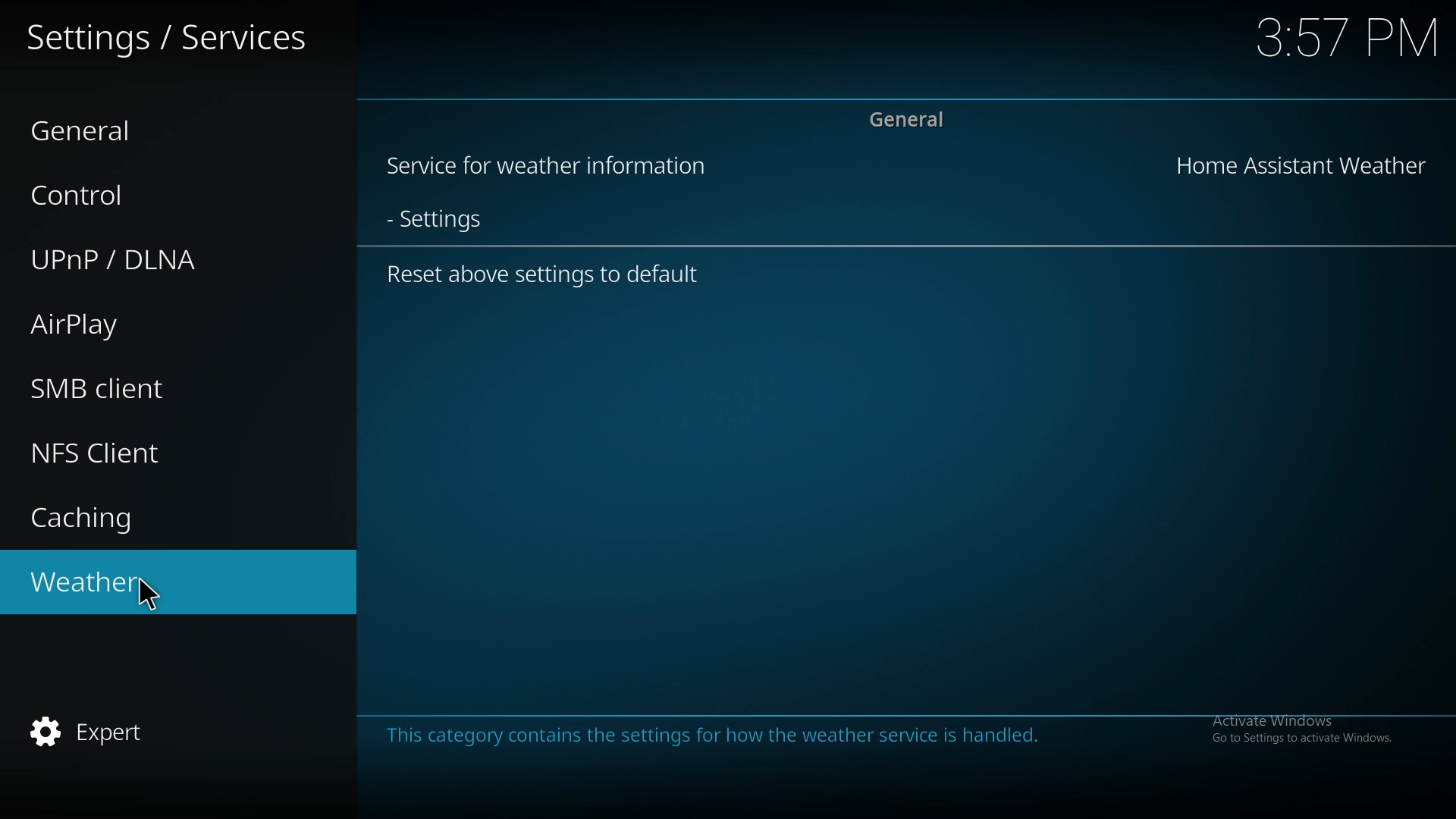 The image size is (1456, 819). Describe the element at coordinates (150, 128) in the screenshot. I see `general` at that location.